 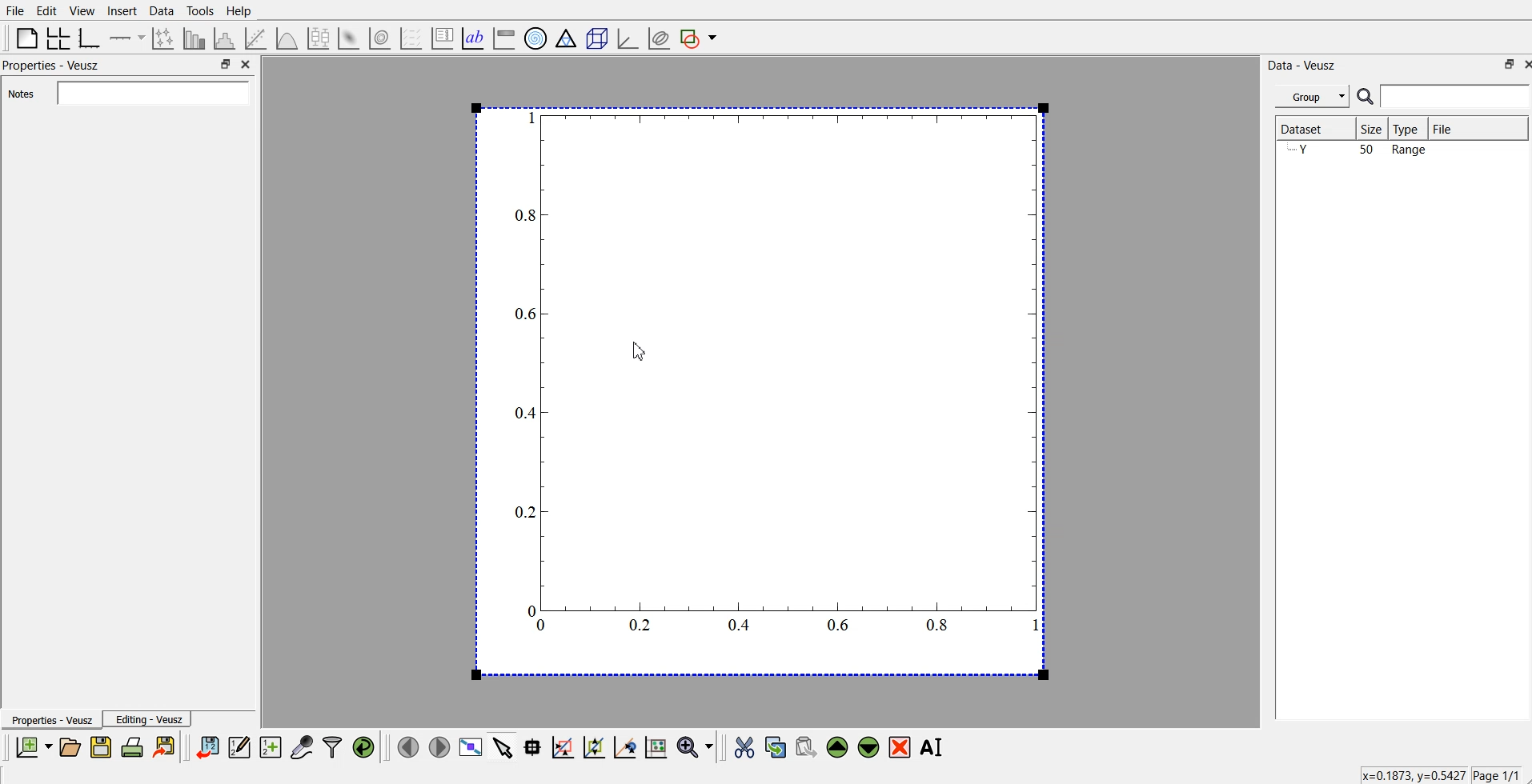 What do you see at coordinates (595, 748) in the screenshot?
I see `click to zoom out graph axes` at bounding box center [595, 748].